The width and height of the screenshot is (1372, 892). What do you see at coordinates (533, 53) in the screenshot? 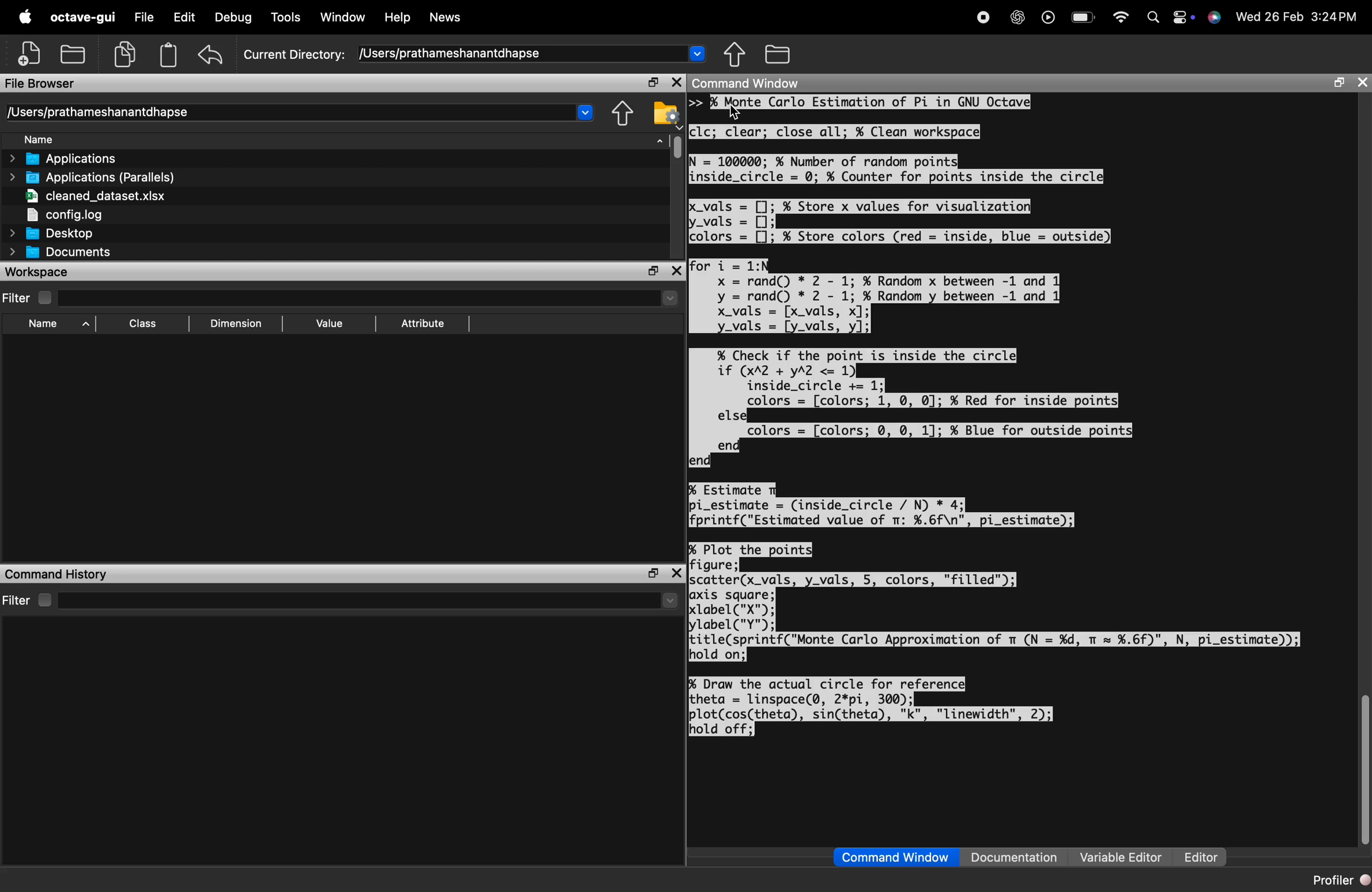
I see `Users/prathameshanantdhapse ` at bounding box center [533, 53].